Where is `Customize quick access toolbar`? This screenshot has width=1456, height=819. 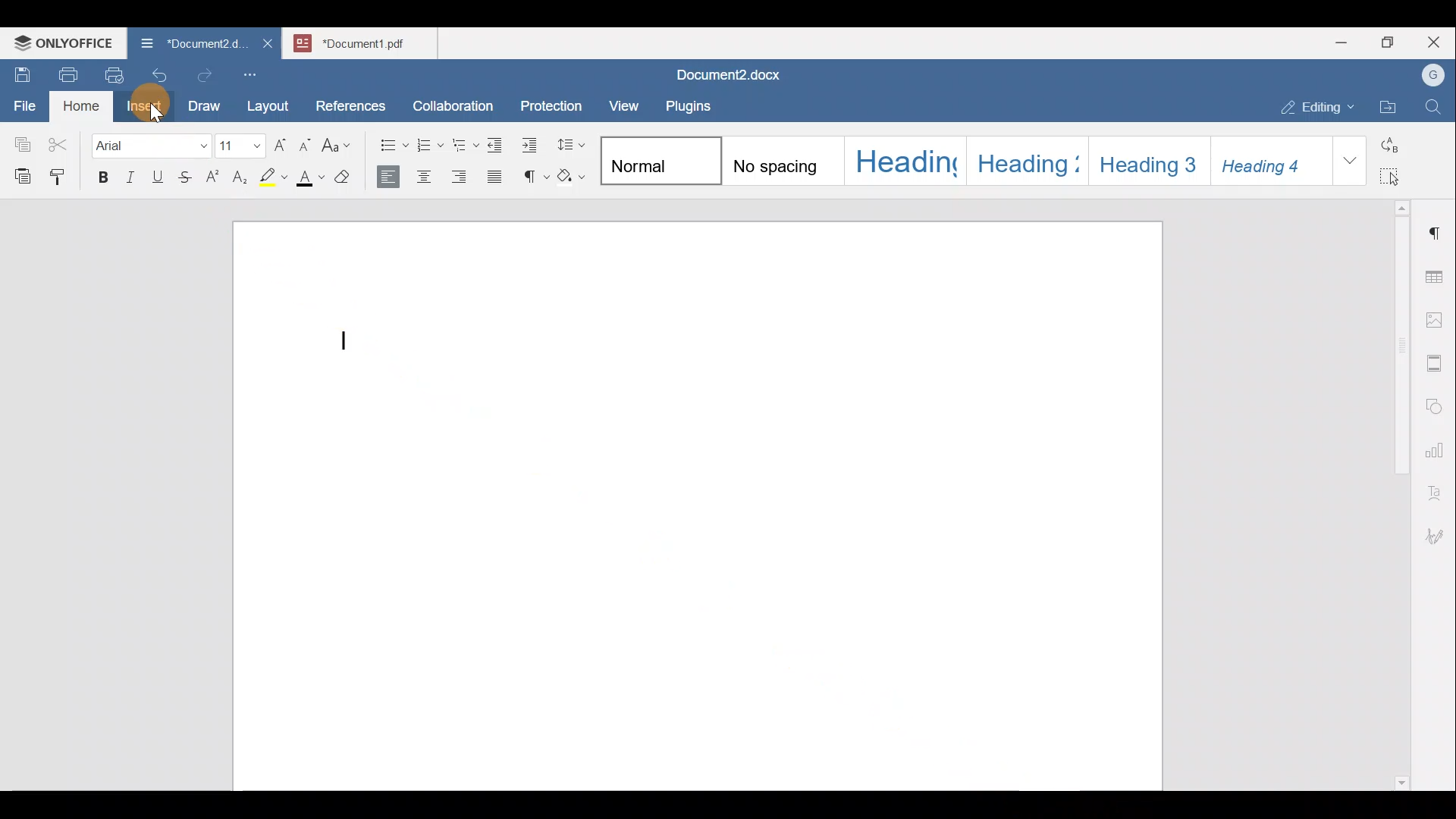
Customize quick access toolbar is located at coordinates (256, 72).